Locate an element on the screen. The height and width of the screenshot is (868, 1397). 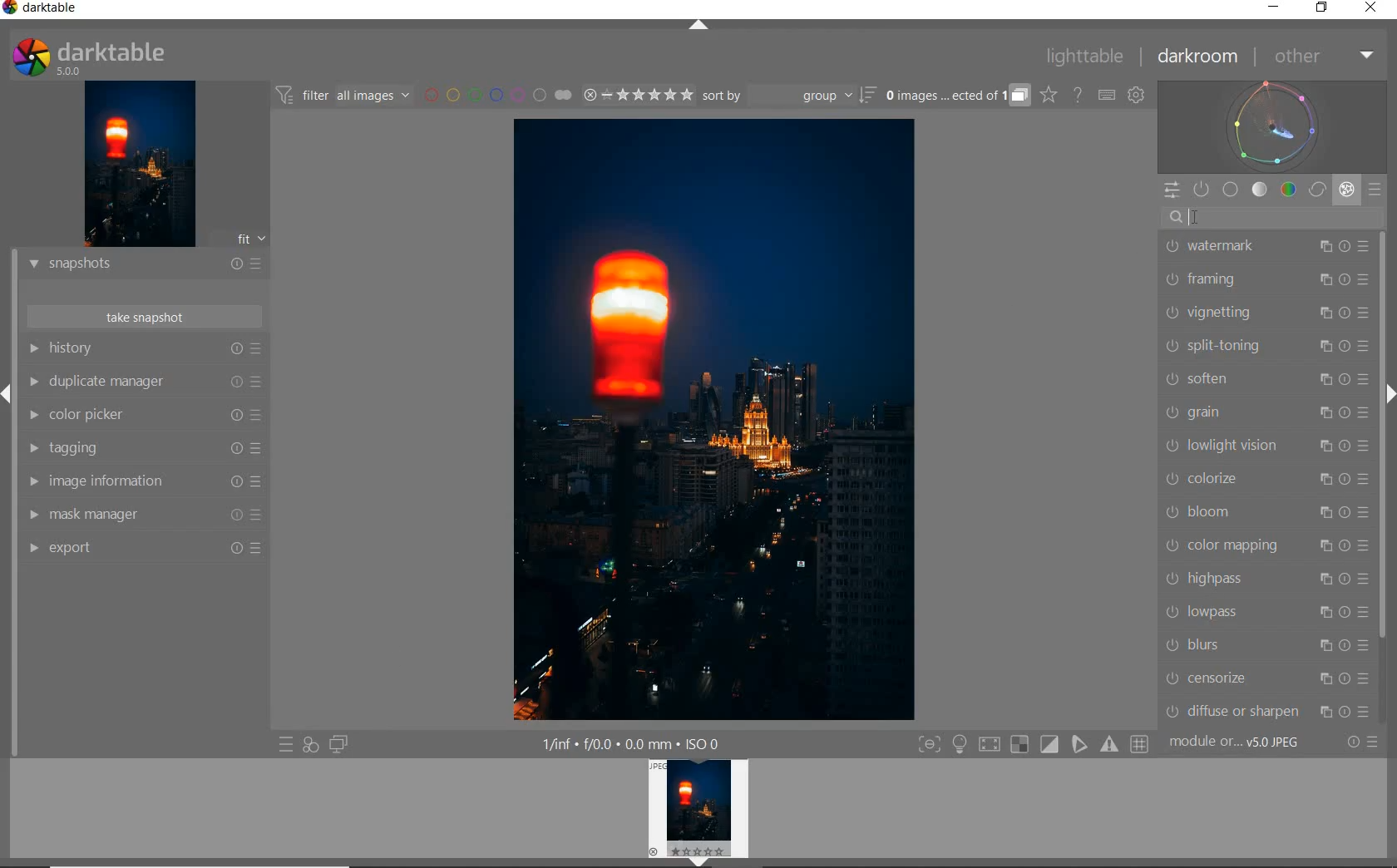
DUPLICATE MANAGER is located at coordinates (116, 384).